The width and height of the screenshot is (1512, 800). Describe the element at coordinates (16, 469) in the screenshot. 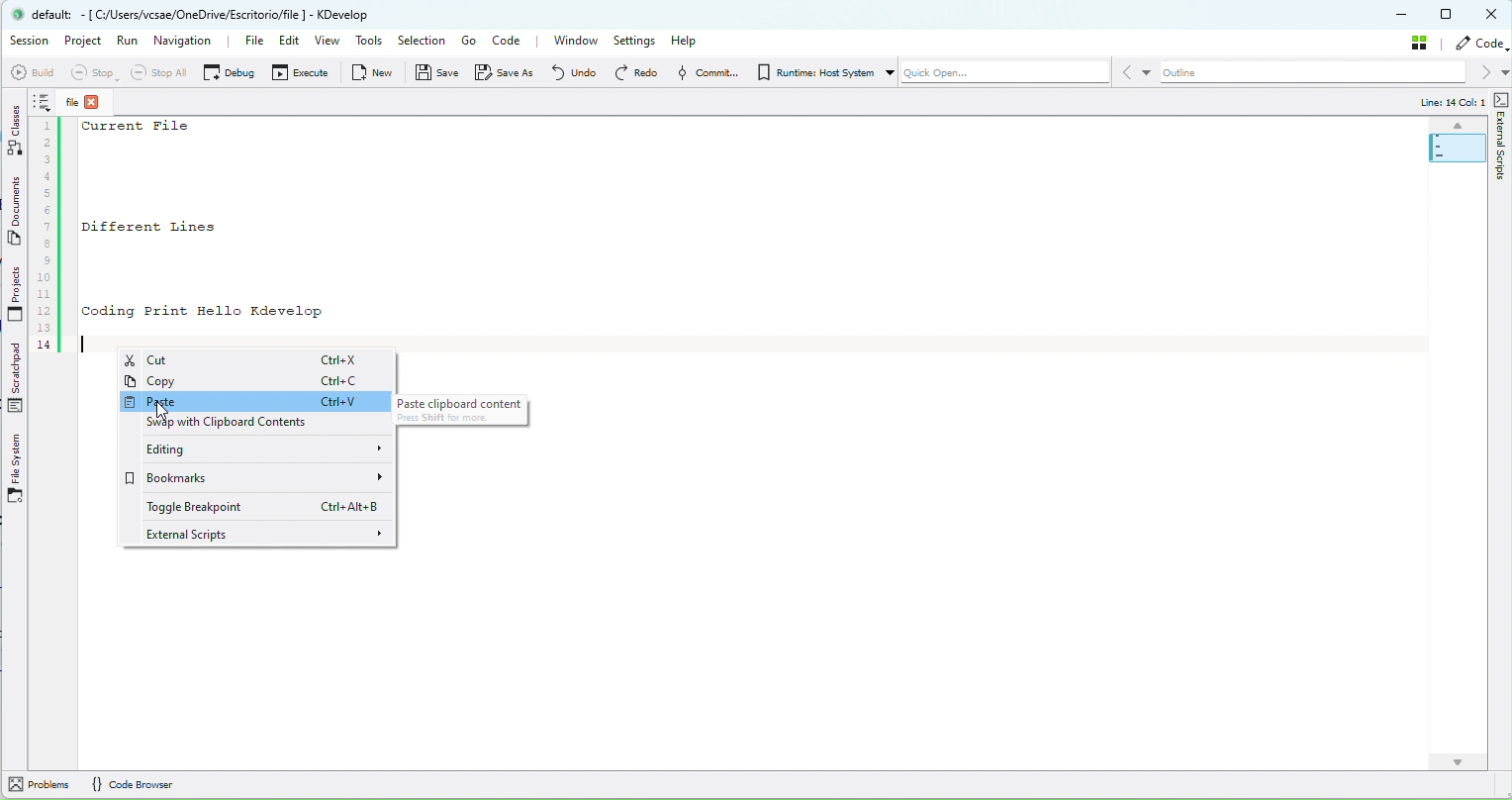

I see `File System` at that location.